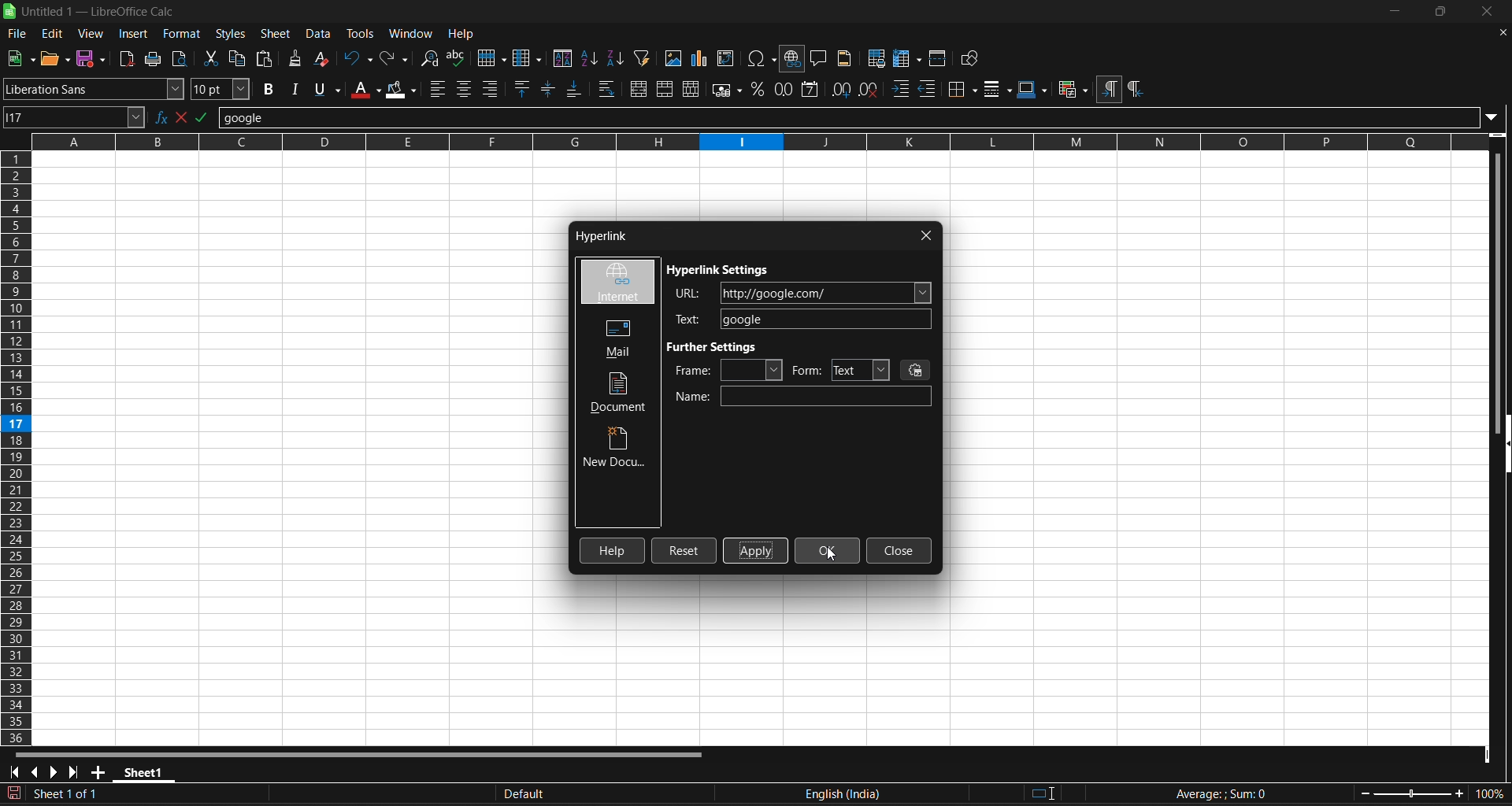 The width and height of the screenshot is (1512, 806). What do you see at coordinates (269, 89) in the screenshot?
I see `bold` at bounding box center [269, 89].